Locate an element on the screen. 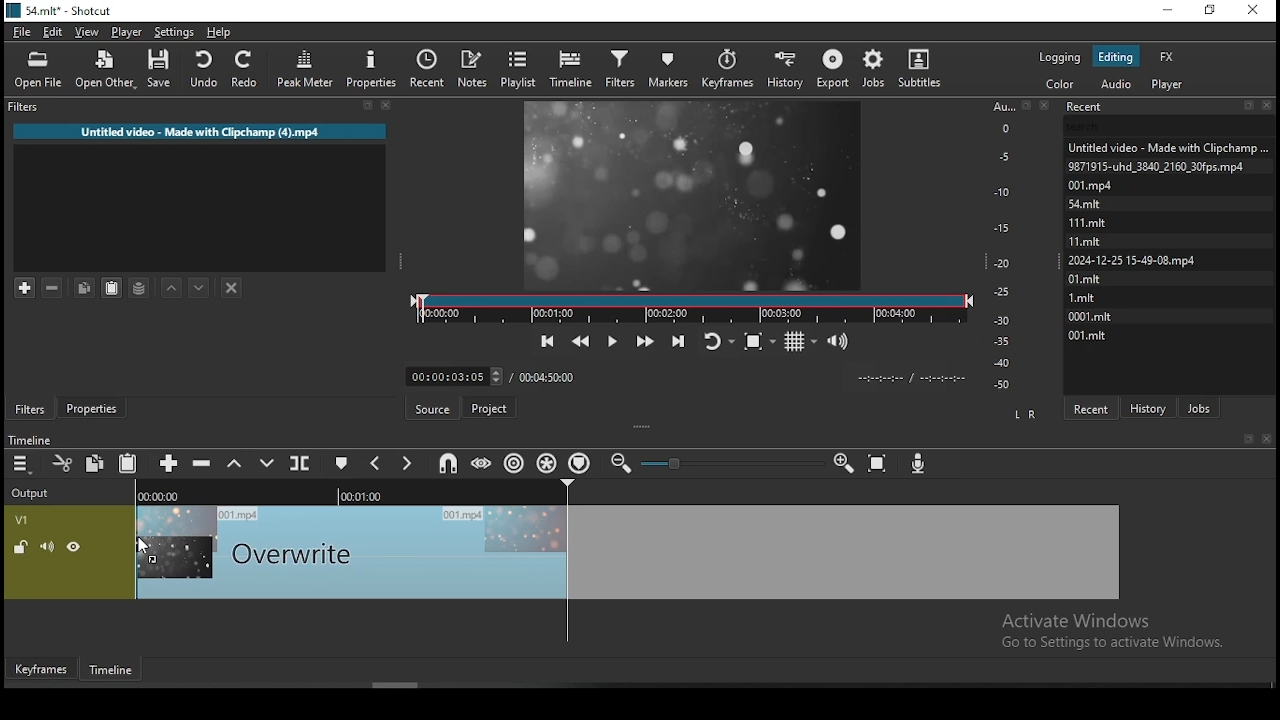  keyframes is located at coordinates (729, 69).